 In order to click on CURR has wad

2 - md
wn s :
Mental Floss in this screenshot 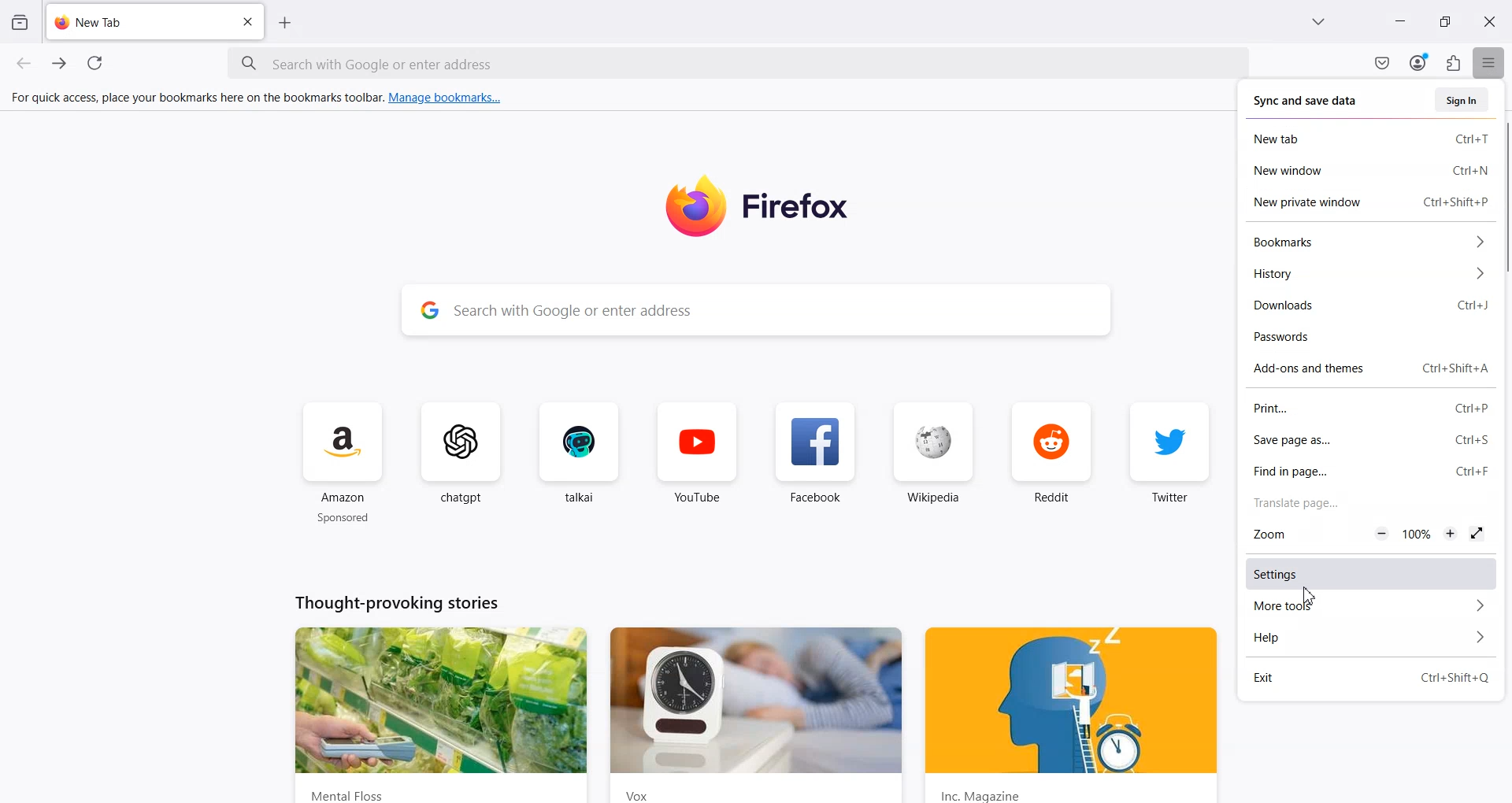, I will do `click(439, 714)`.